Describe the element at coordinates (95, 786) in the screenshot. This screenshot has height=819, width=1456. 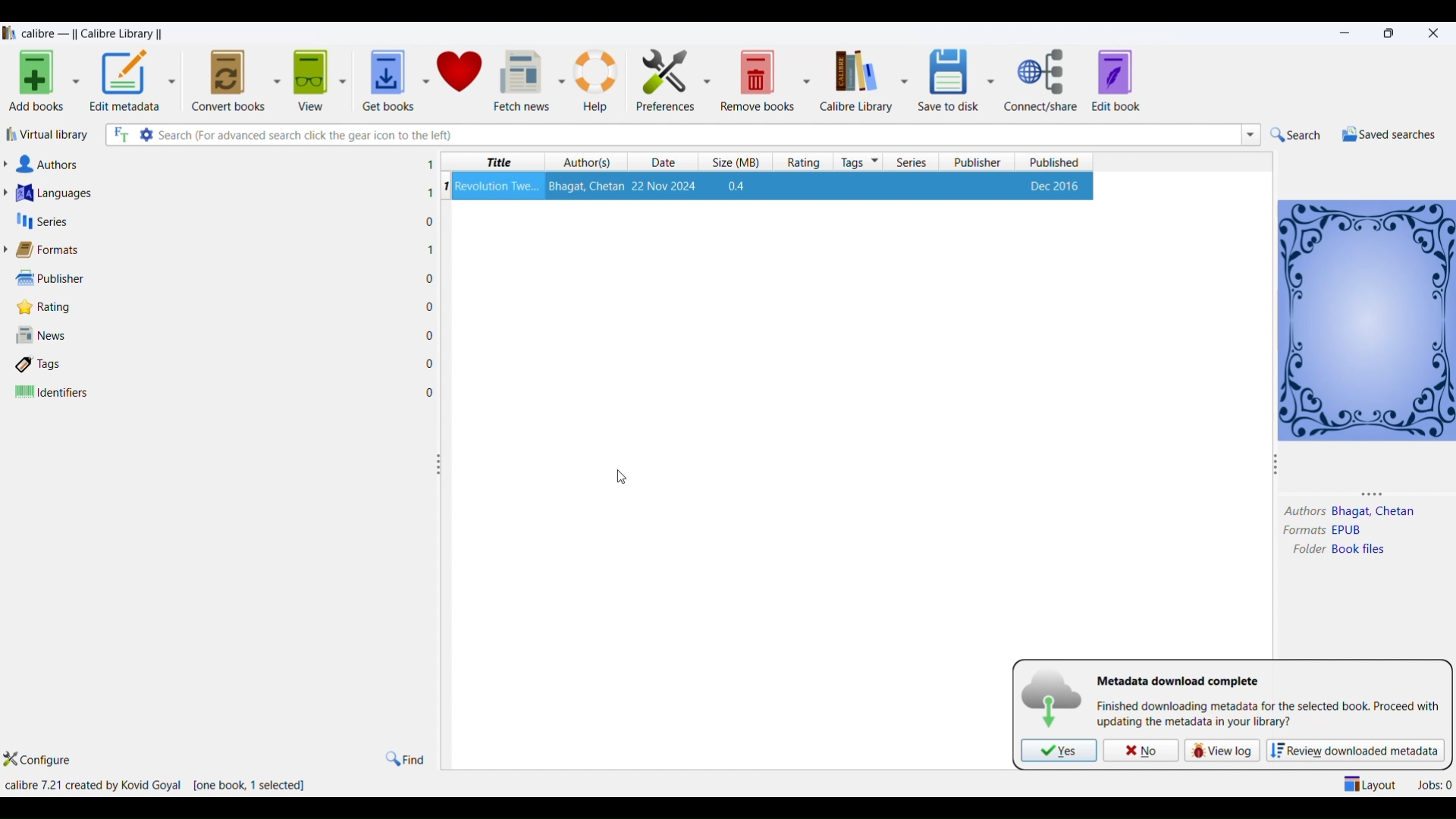
I see `calibre version and creator` at that location.